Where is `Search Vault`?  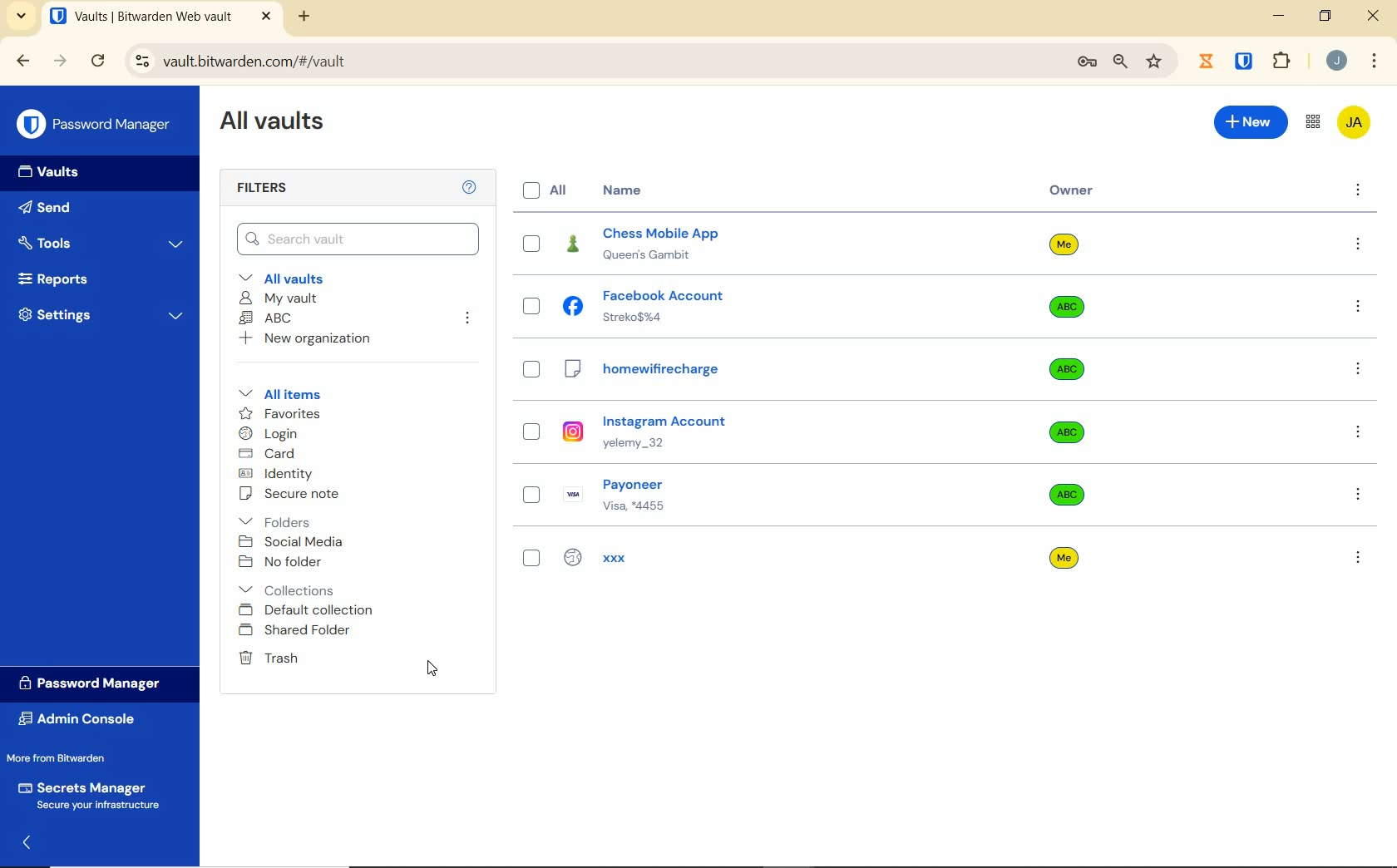 Search Vault is located at coordinates (359, 239).